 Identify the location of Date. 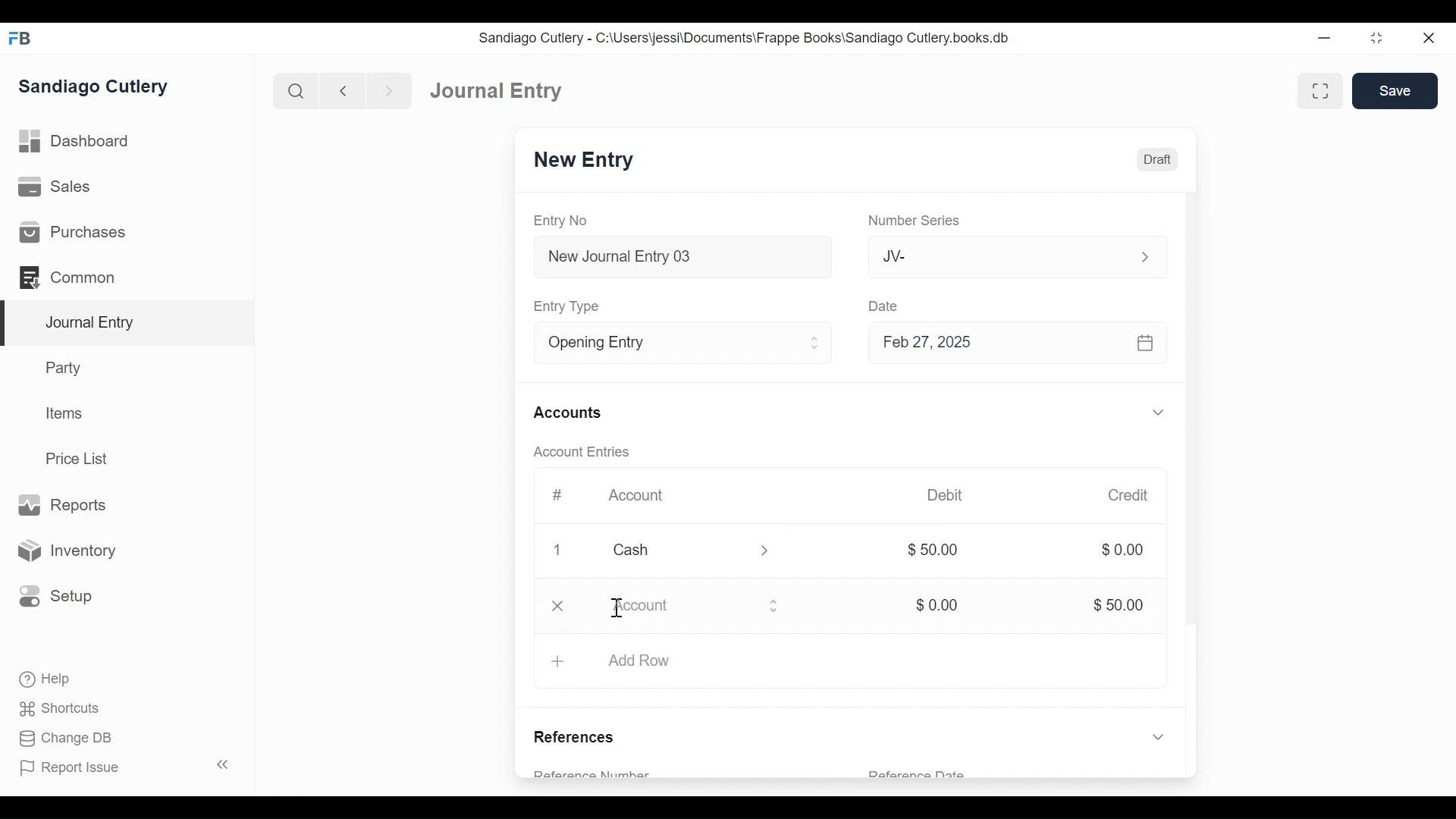
(886, 306).